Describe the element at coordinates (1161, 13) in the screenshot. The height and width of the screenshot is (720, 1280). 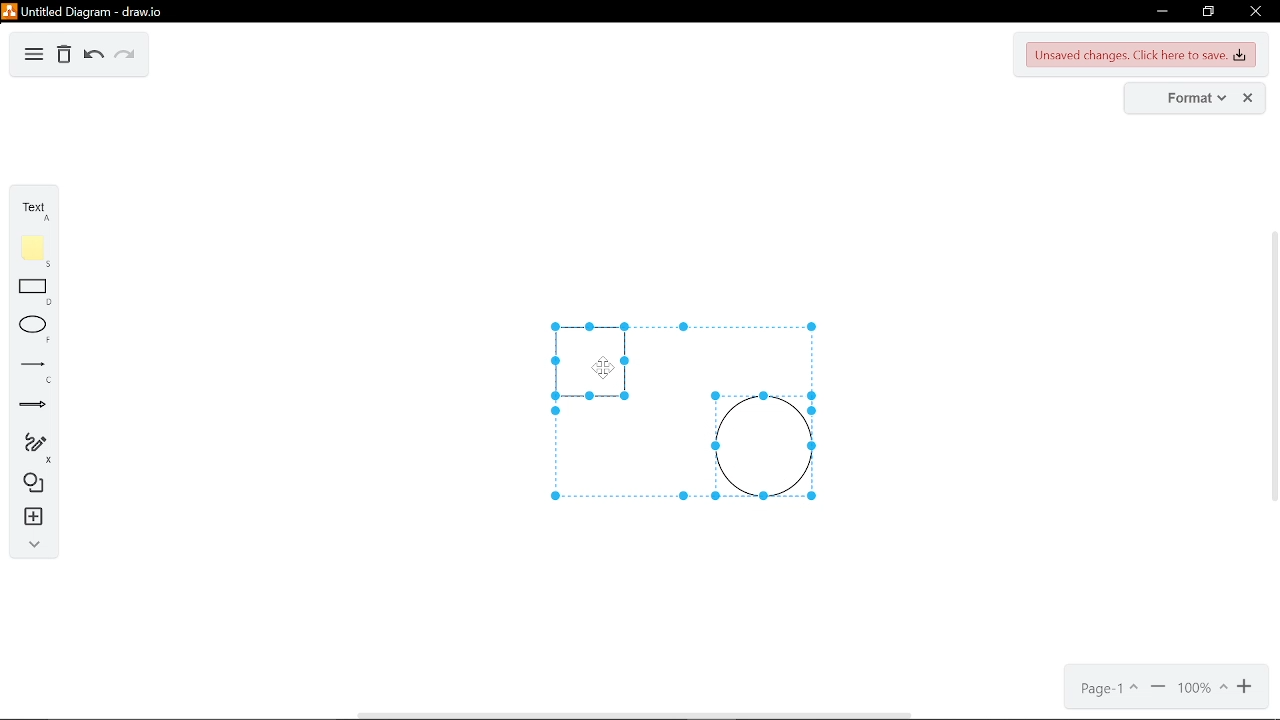
I see `minimize` at that location.